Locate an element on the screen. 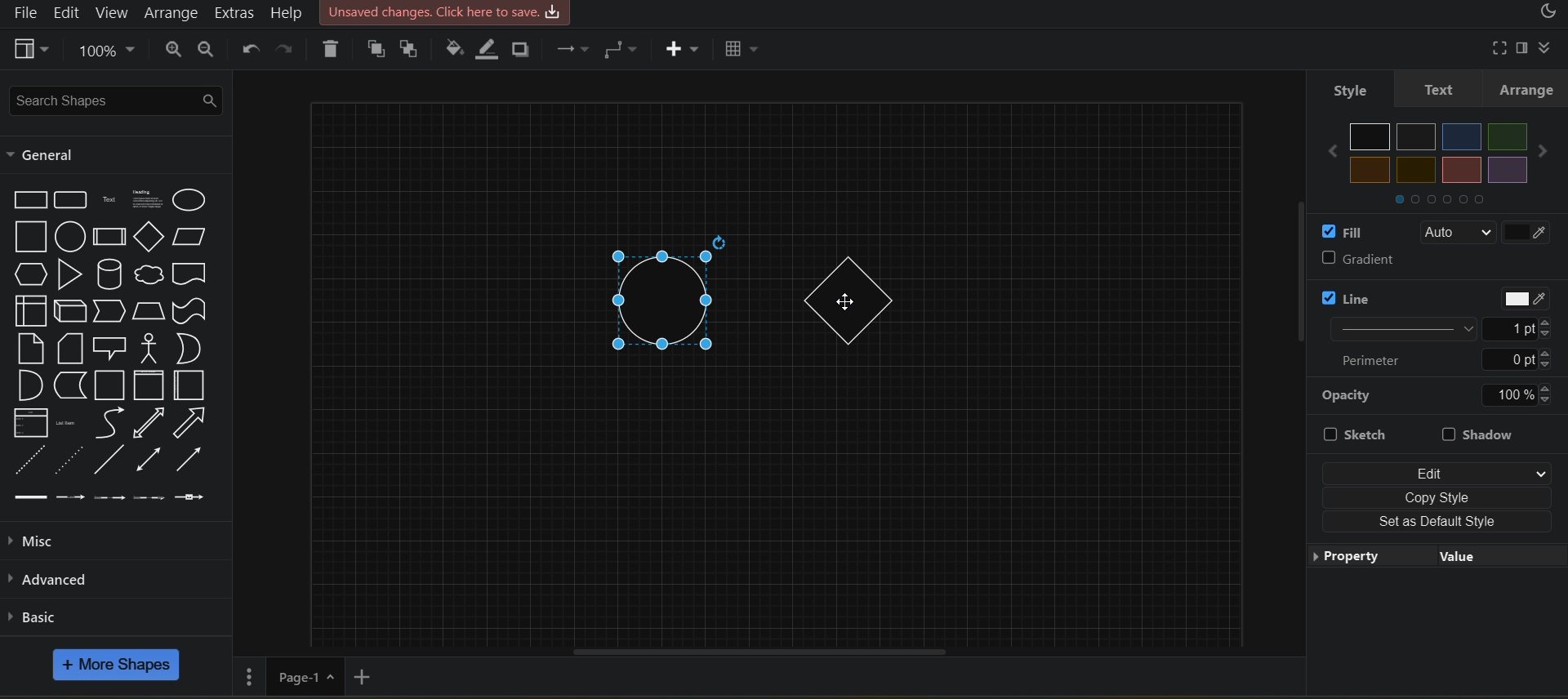 The height and width of the screenshot is (699, 1568). Process is located at coordinates (109, 236).